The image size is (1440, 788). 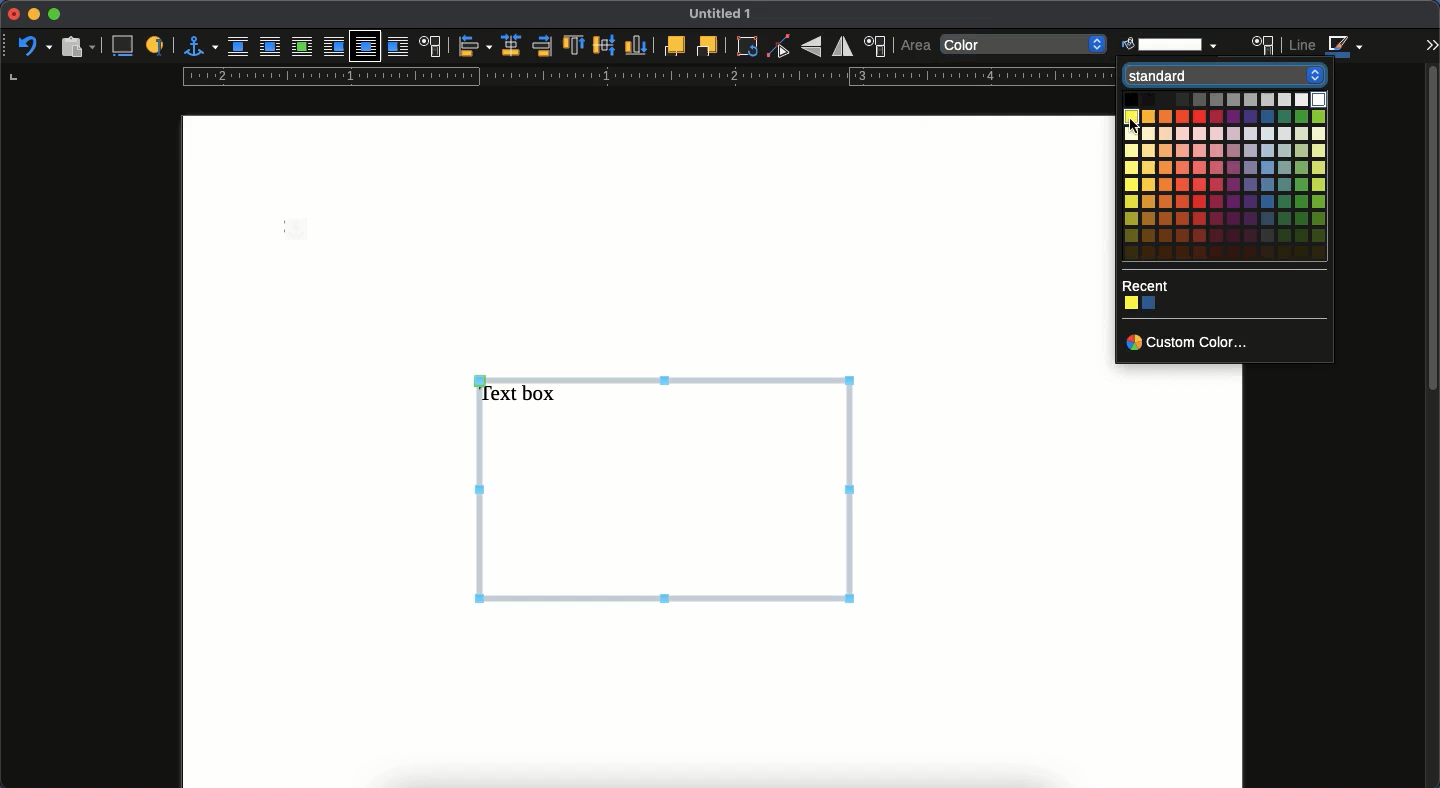 What do you see at coordinates (779, 47) in the screenshot?
I see `point end mode` at bounding box center [779, 47].